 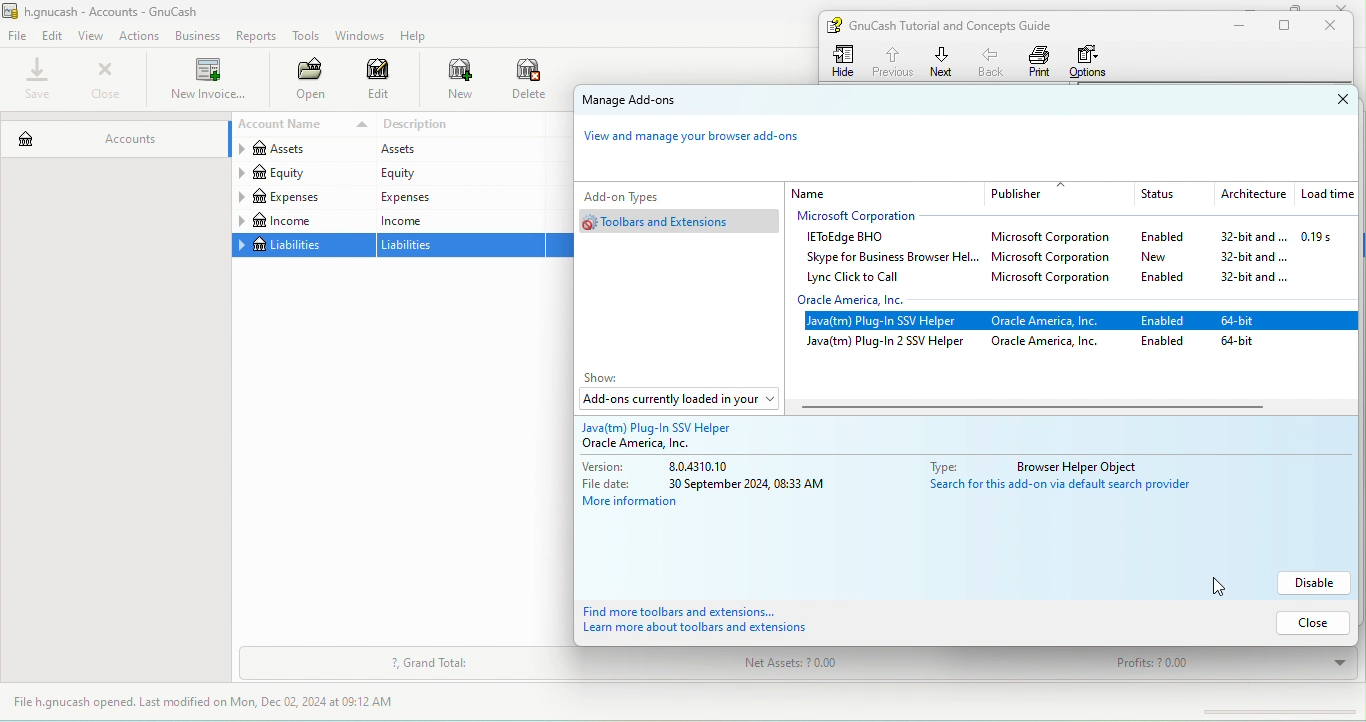 I want to click on liabilities, so click(x=462, y=246).